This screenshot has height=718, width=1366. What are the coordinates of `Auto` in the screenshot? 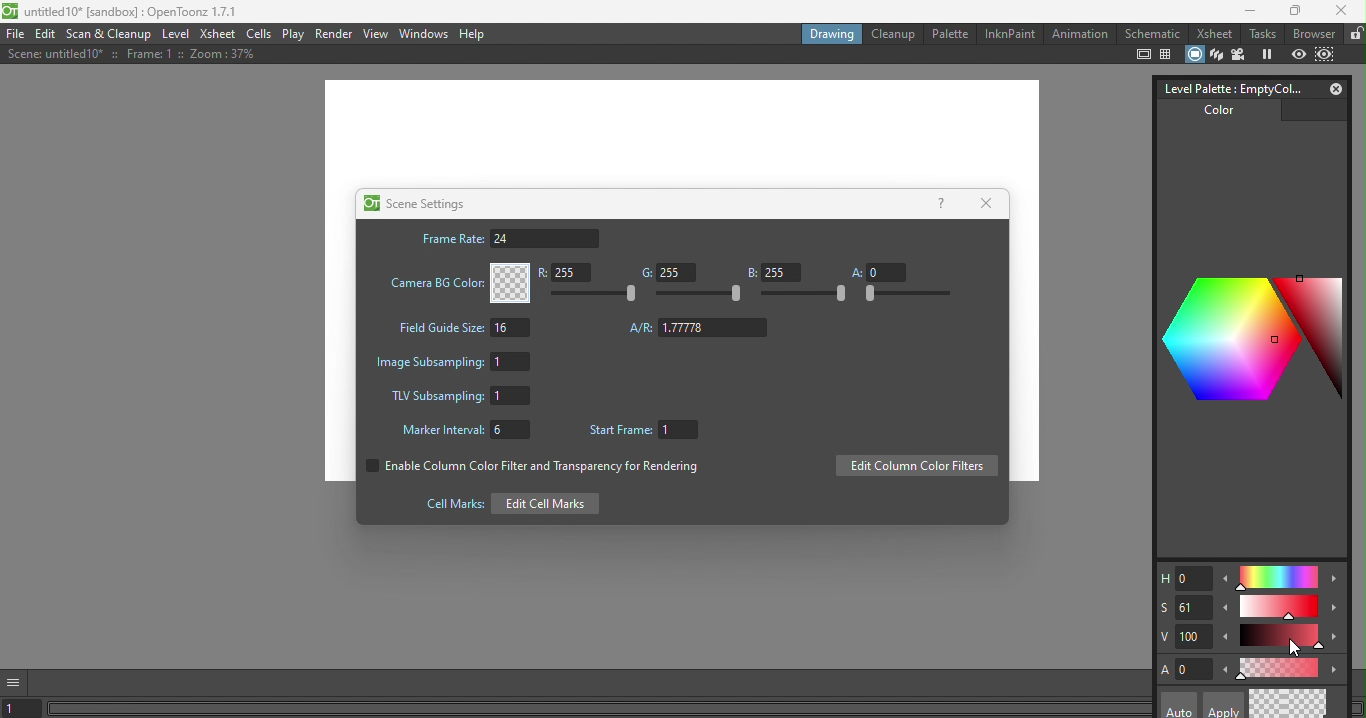 It's located at (1179, 705).